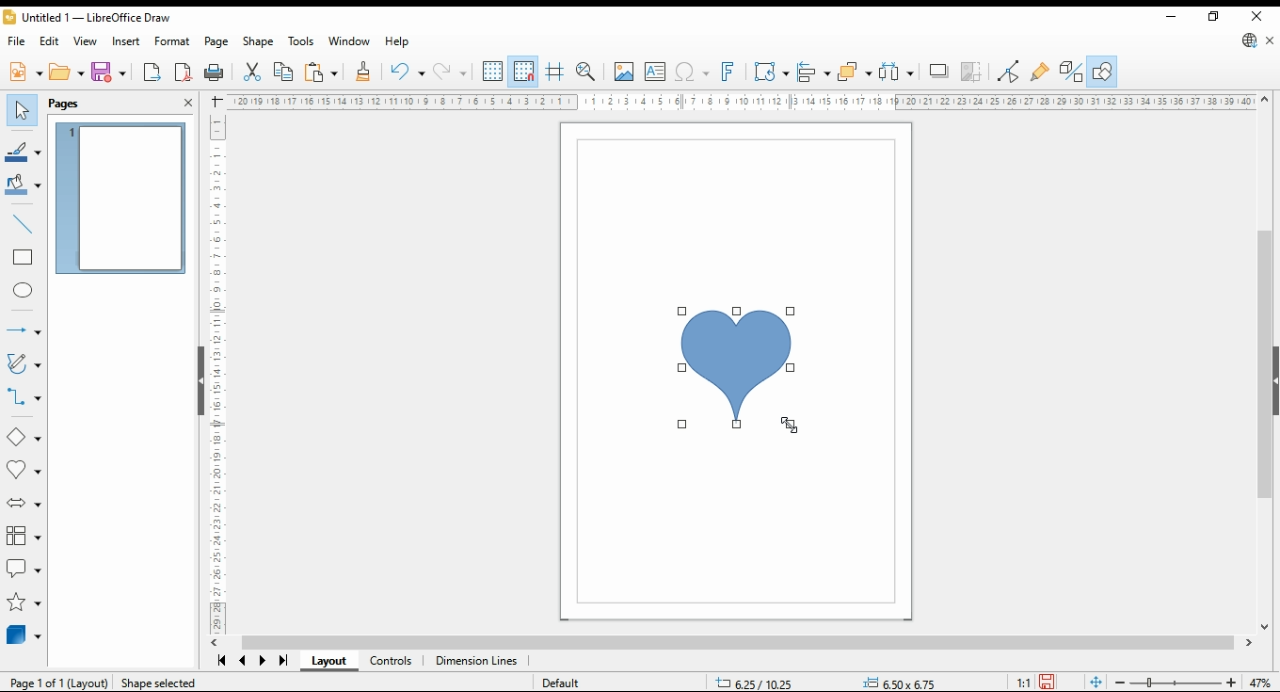 The width and height of the screenshot is (1280, 692). I want to click on window, so click(349, 41).